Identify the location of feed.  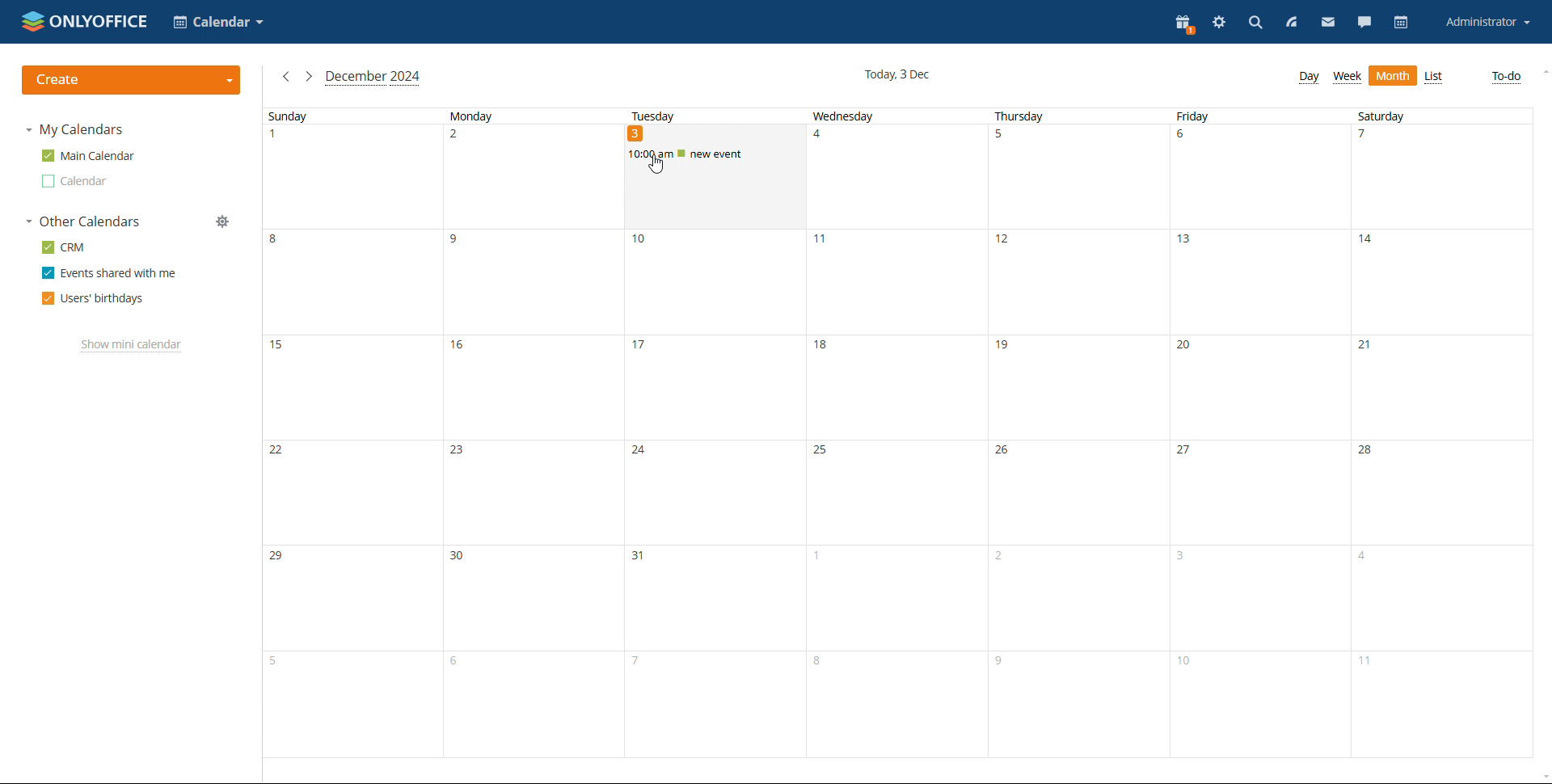
(1291, 23).